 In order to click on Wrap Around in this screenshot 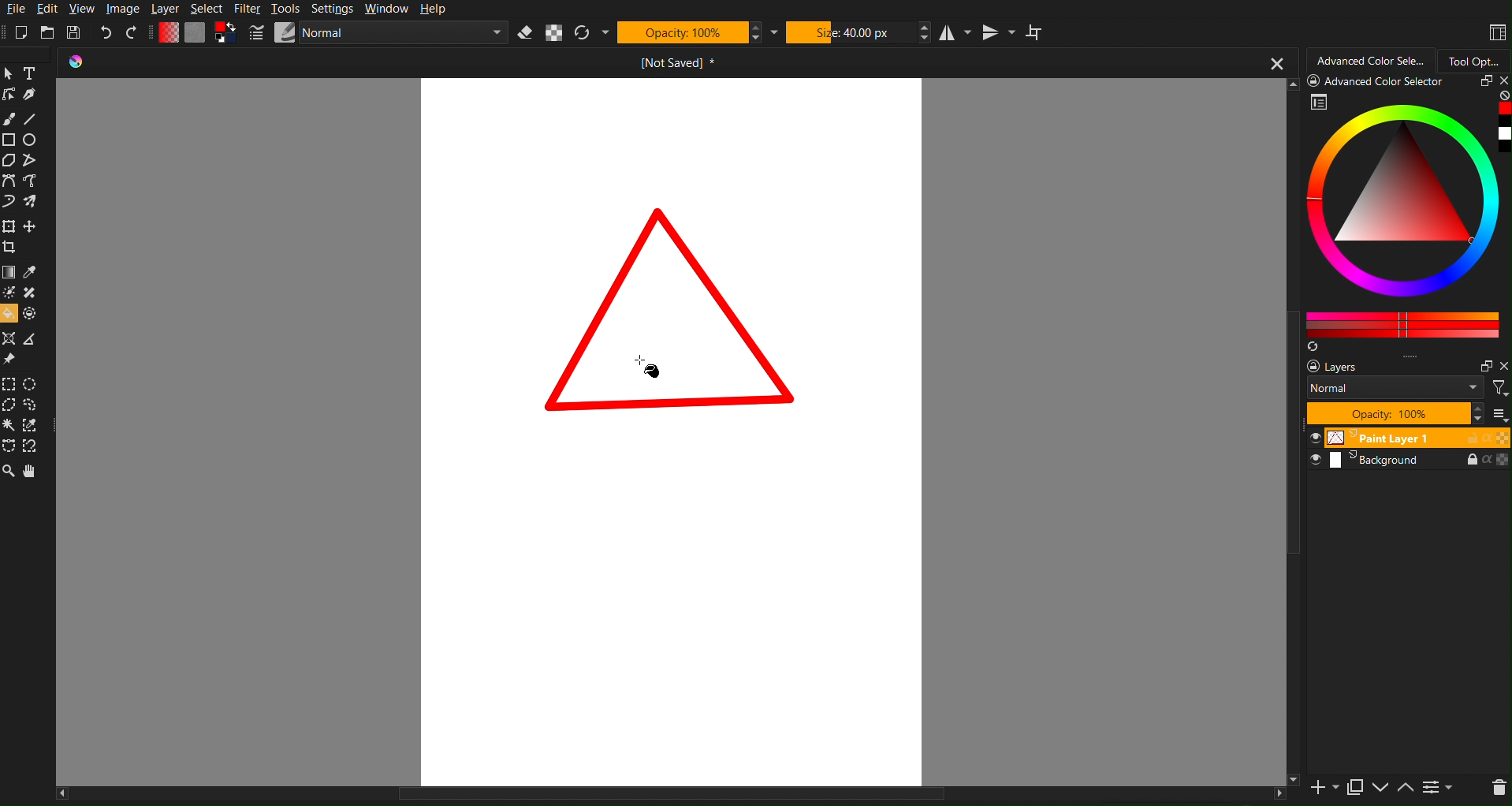, I will do `click(1036, 33)`.